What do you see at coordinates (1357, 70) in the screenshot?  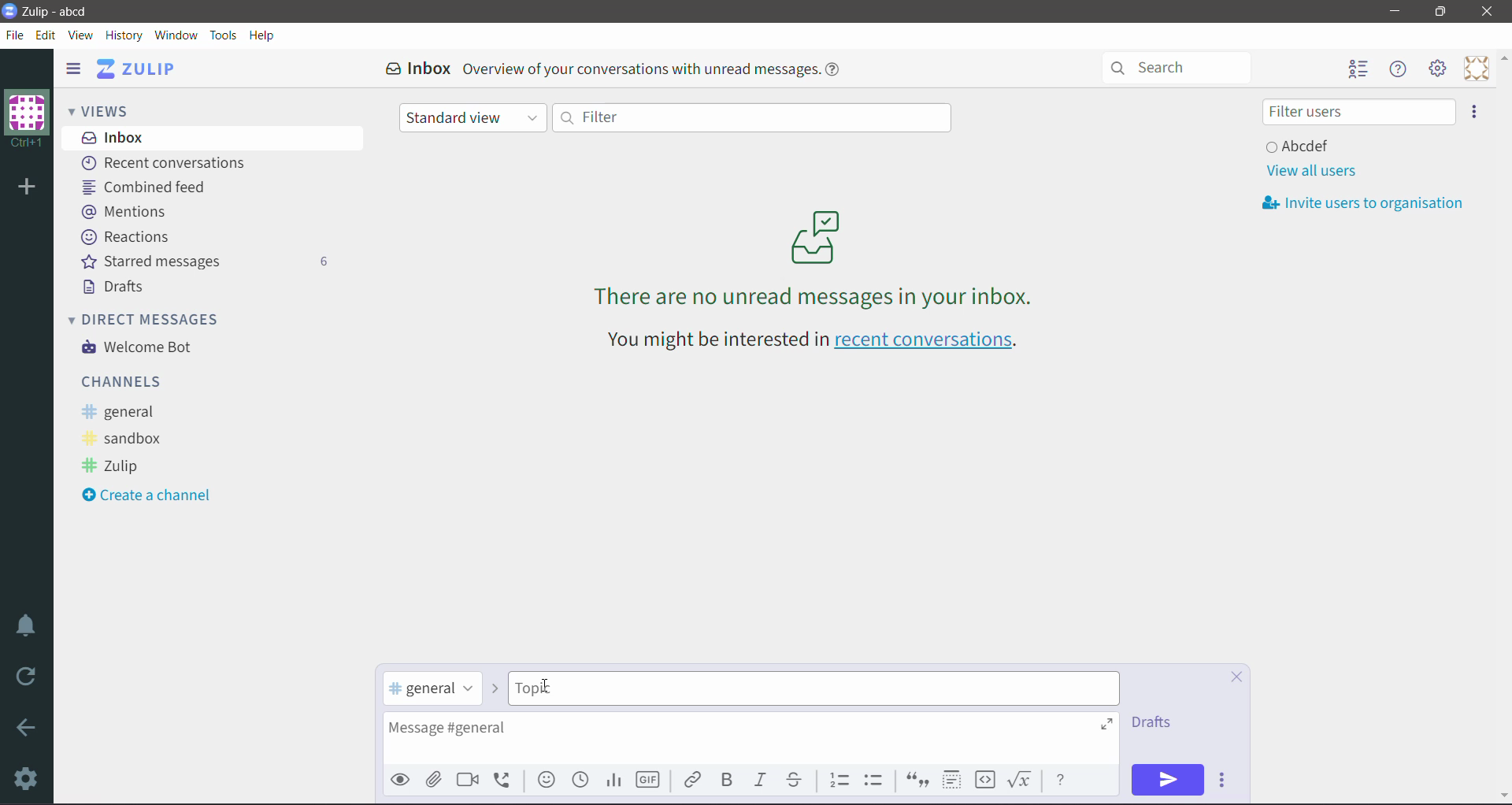 I see `Hide user list` at bounding box center [1357, 70].